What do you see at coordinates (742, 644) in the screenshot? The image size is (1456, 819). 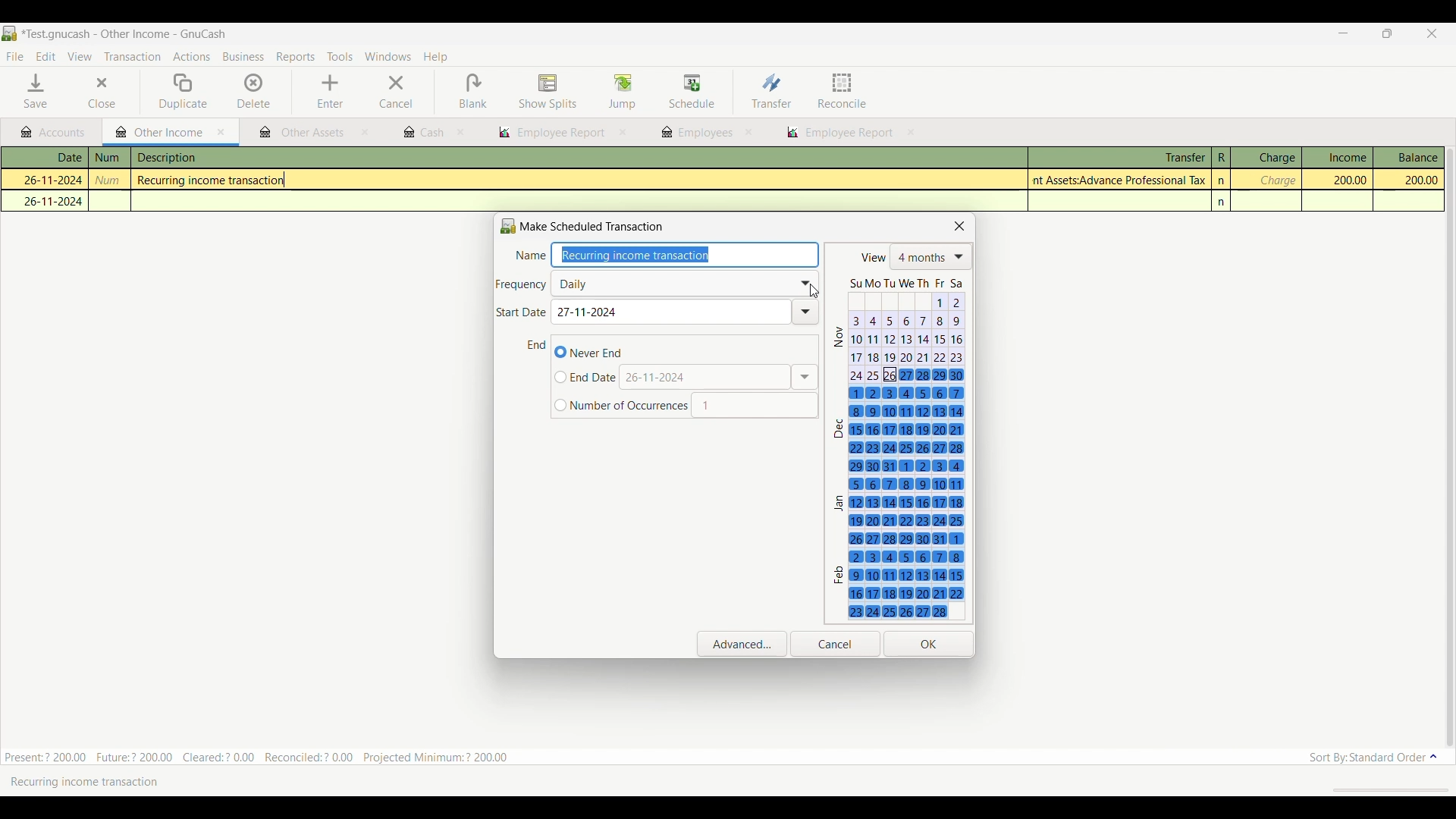 I see `Open advanced settings` at bounding box center [742, 644].